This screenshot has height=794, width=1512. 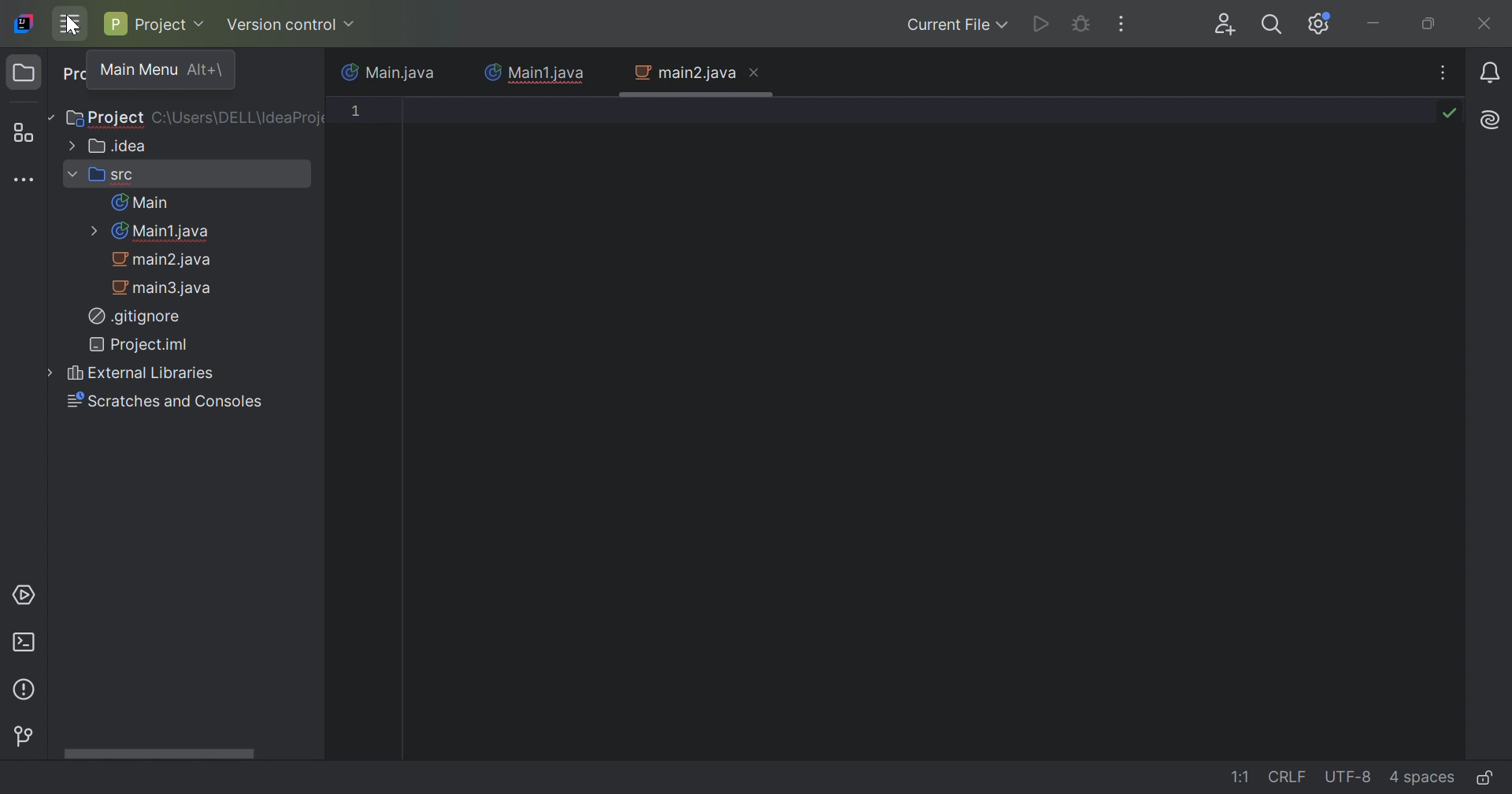 I want to click on Scroll bar, so click(x=156, y=753).